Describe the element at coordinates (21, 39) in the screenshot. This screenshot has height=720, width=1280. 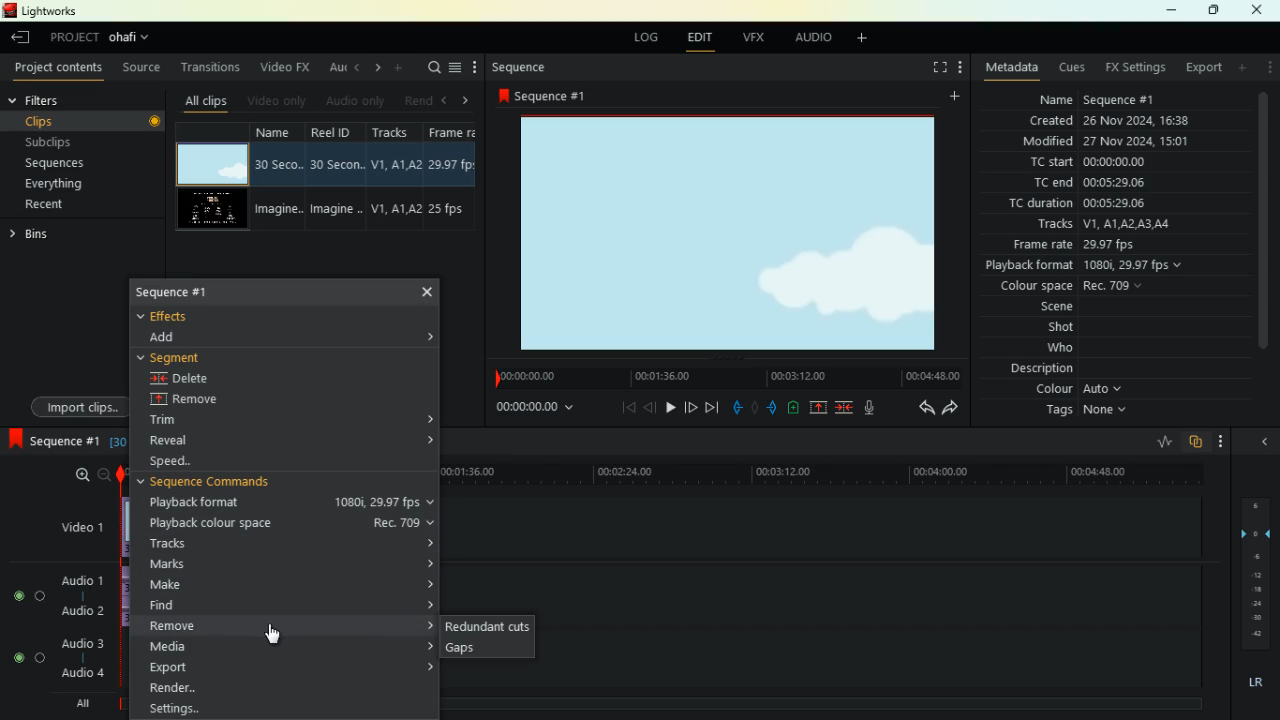
I see `leave` at that location.